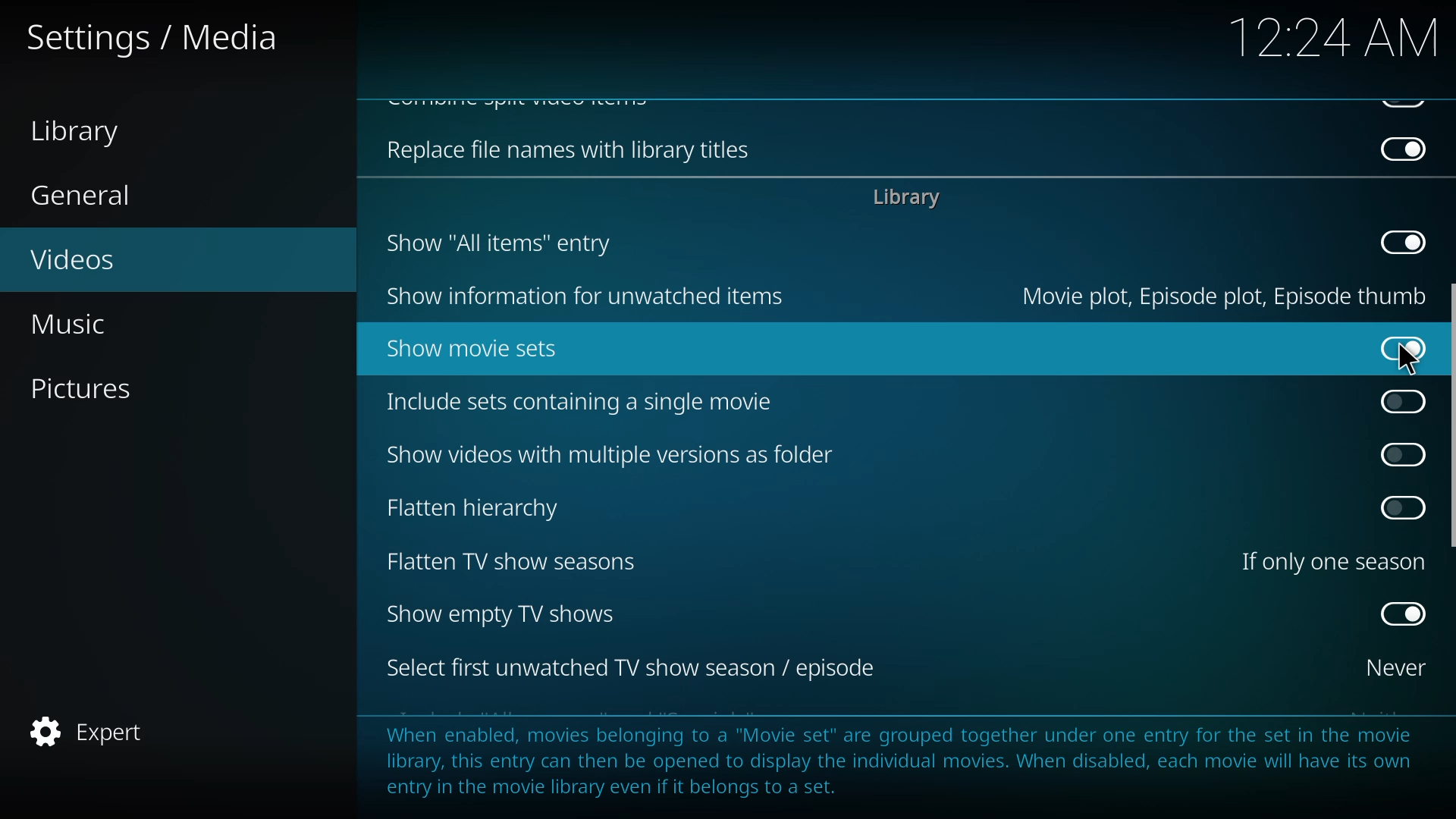 The height and width of the screenshot is (819, 1456). Describe the element at coordinates (608, 454) in the screenshot. I see `show videos with multiple versions` at that location.